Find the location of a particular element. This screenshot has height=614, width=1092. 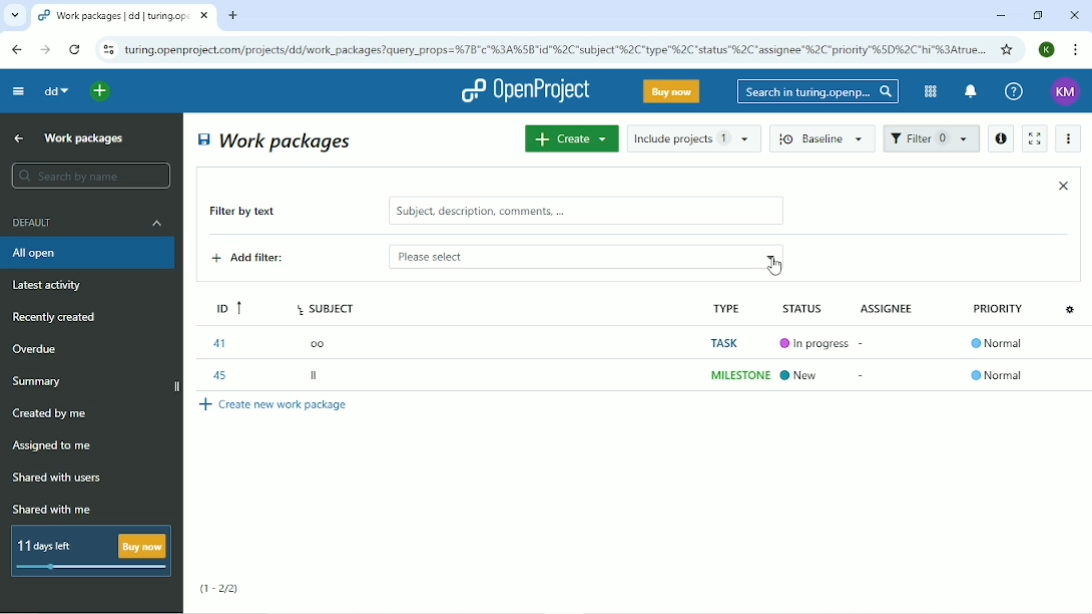

Shared with users is located at coordinates (58, 478).